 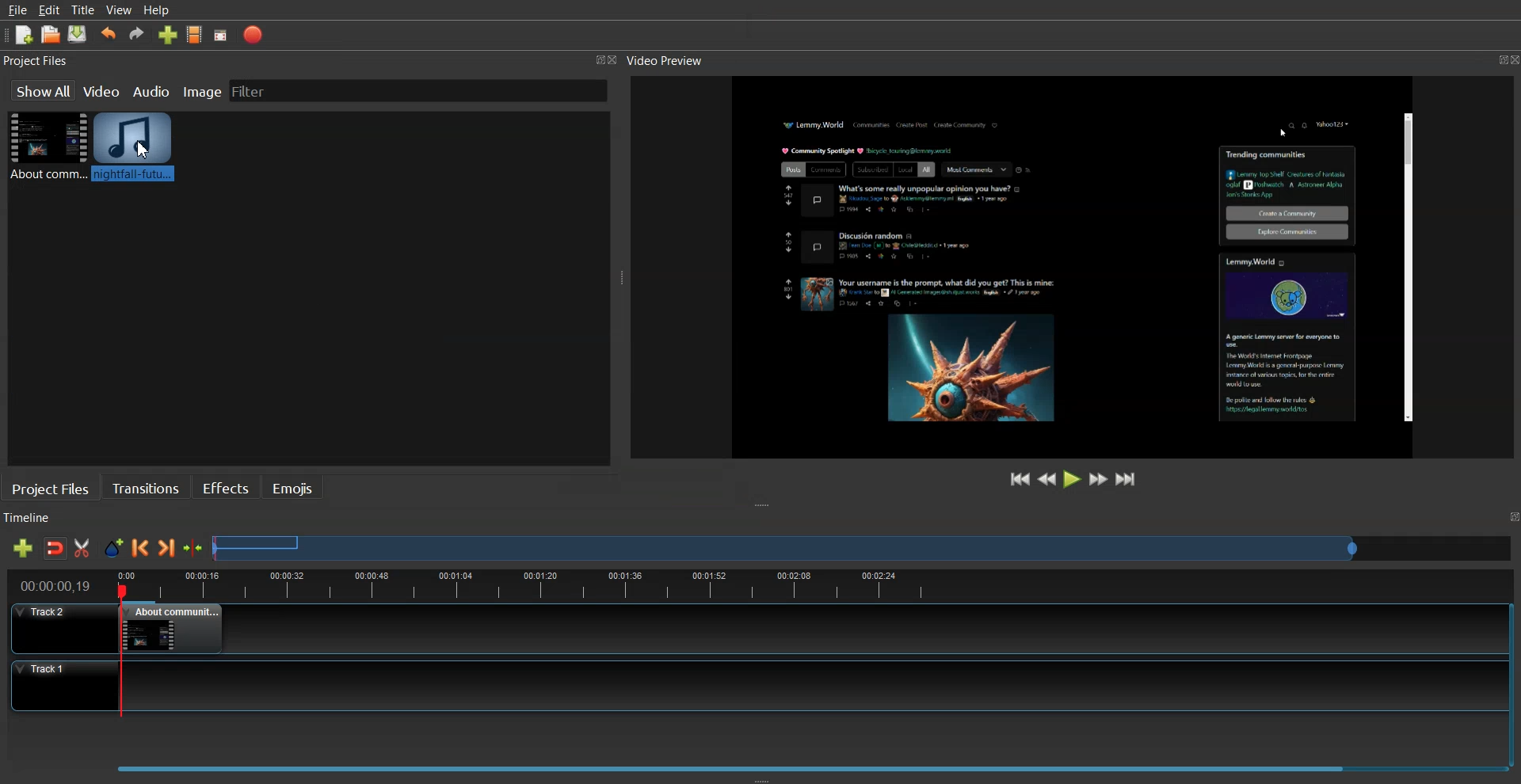 I want to click on Video, so click(x=103, y=89).